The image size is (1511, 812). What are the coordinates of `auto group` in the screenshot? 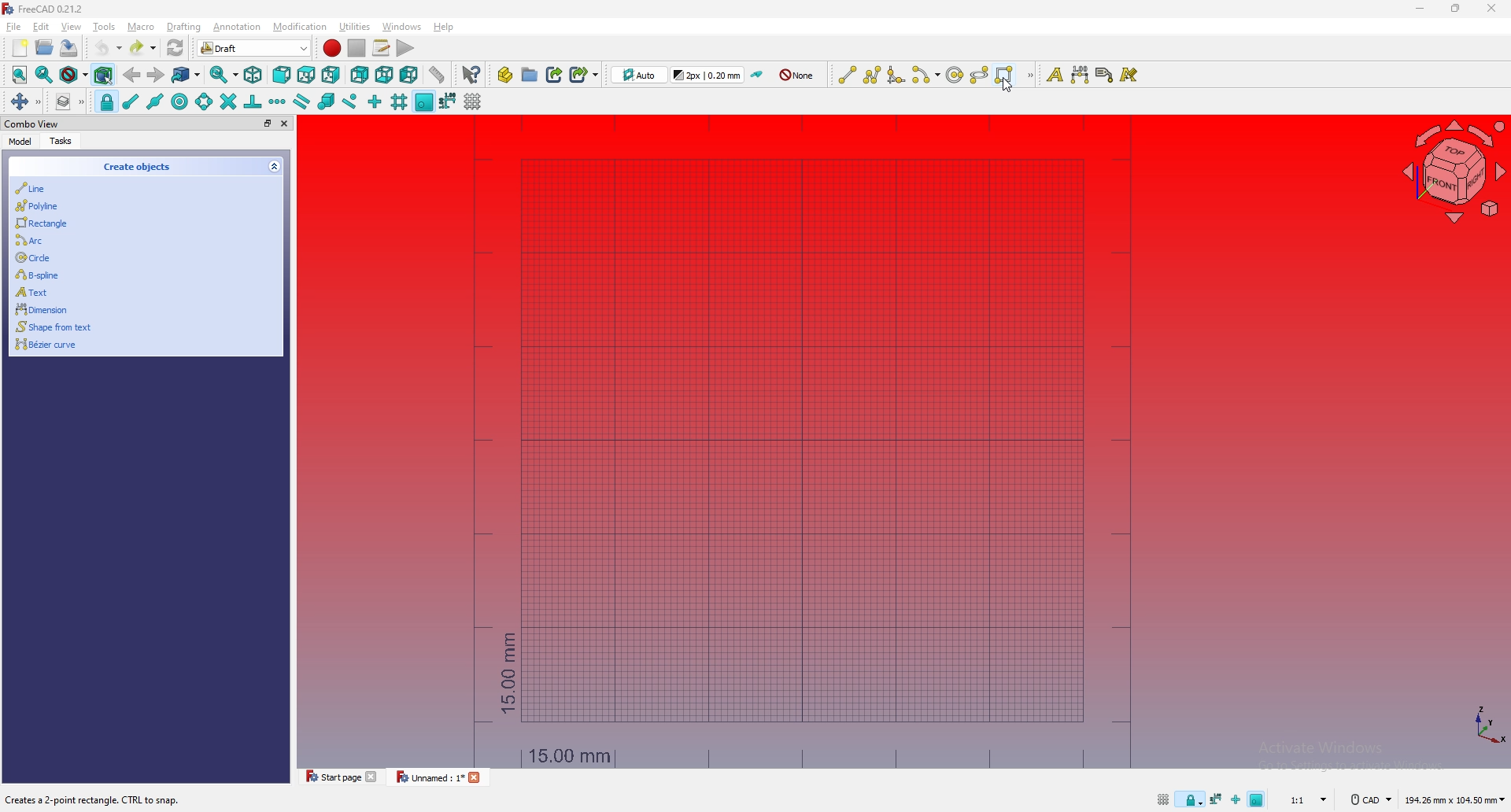 It's located at (797, 76).